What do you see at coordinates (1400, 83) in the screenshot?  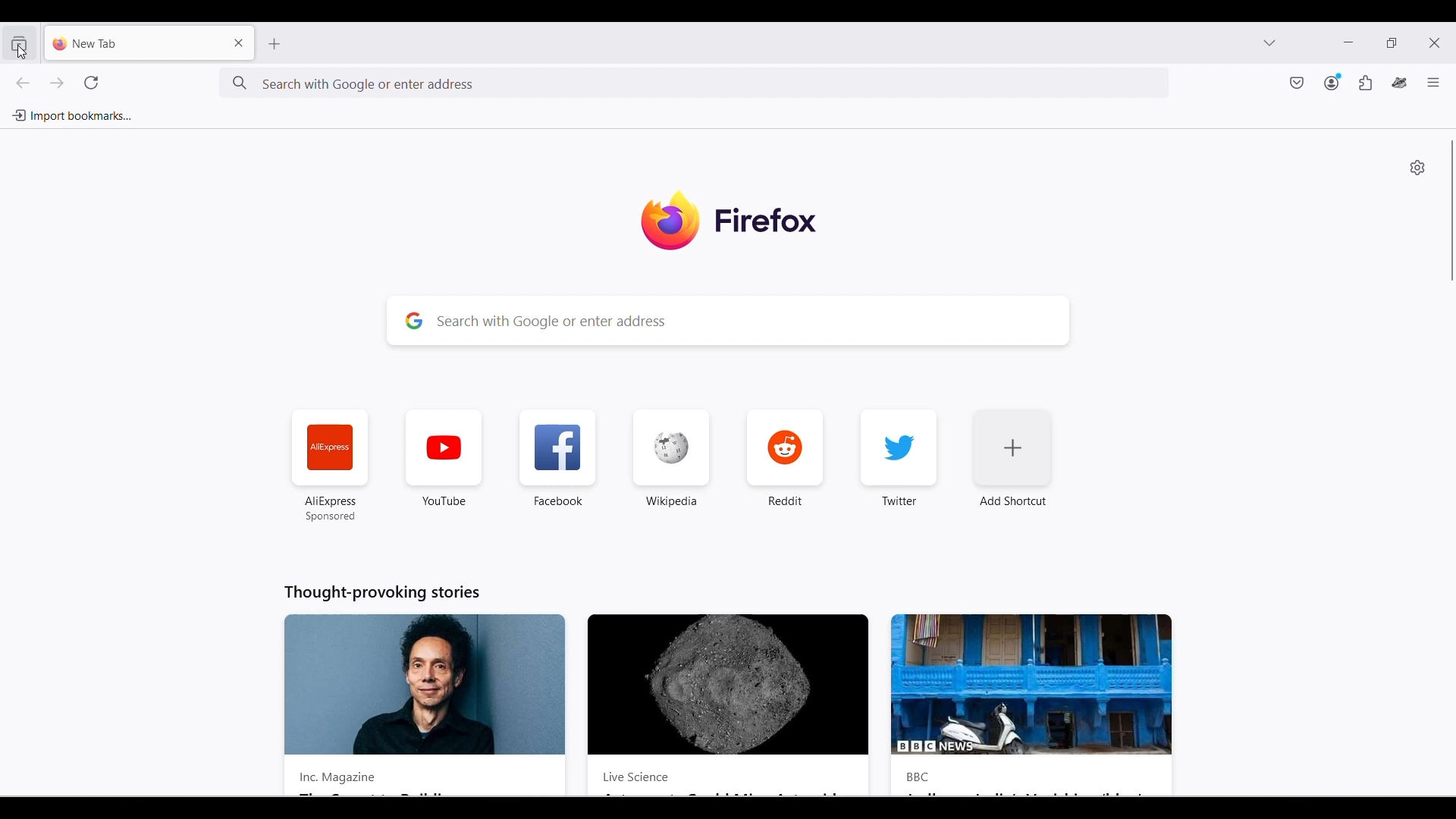 I see `Privacy badger` at bounding box center [1400, 83].